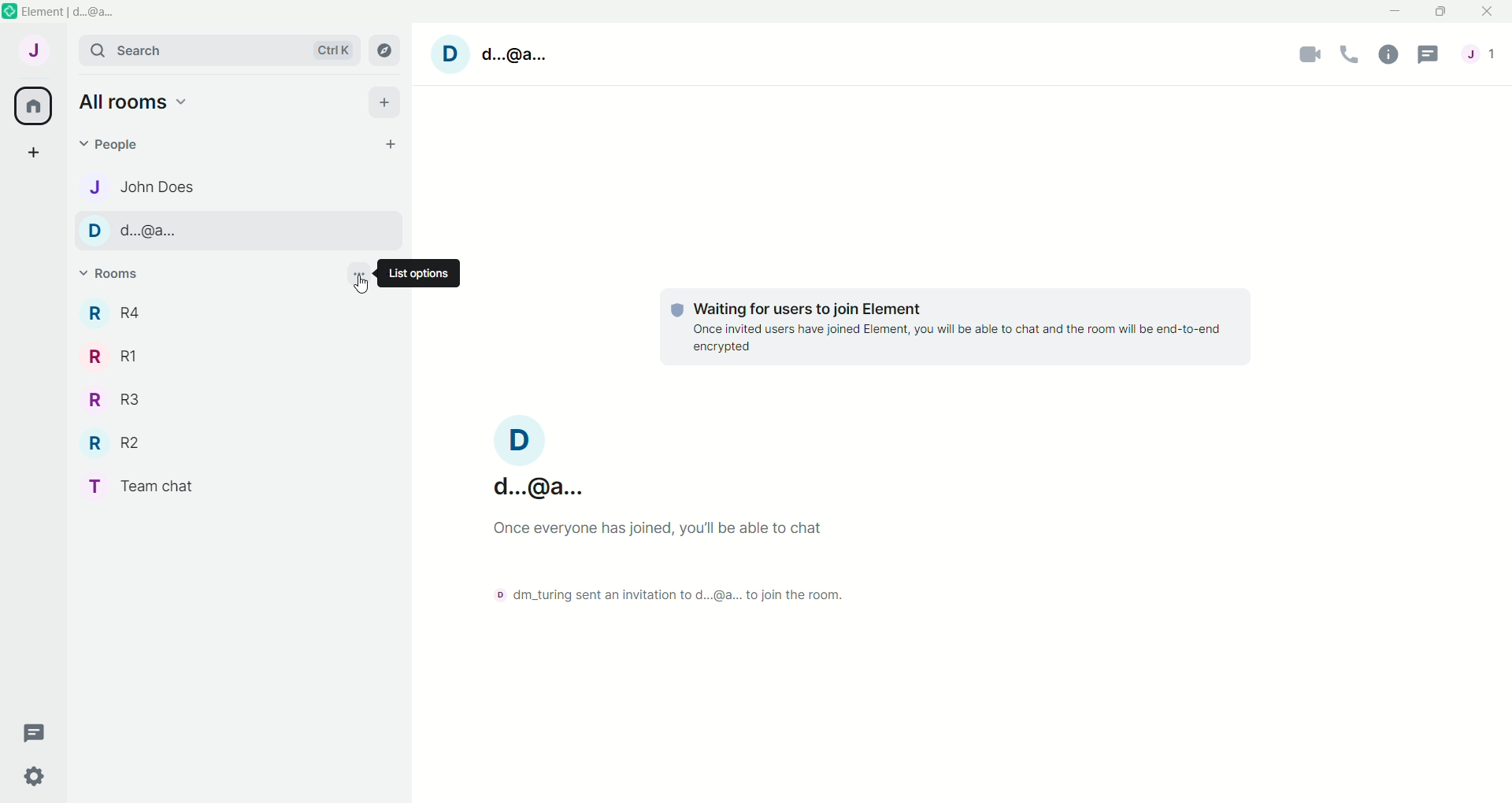 Image resolution: width=1512 pixels, height=803 pixels. I want to click on All rooms, so click(32, 105).